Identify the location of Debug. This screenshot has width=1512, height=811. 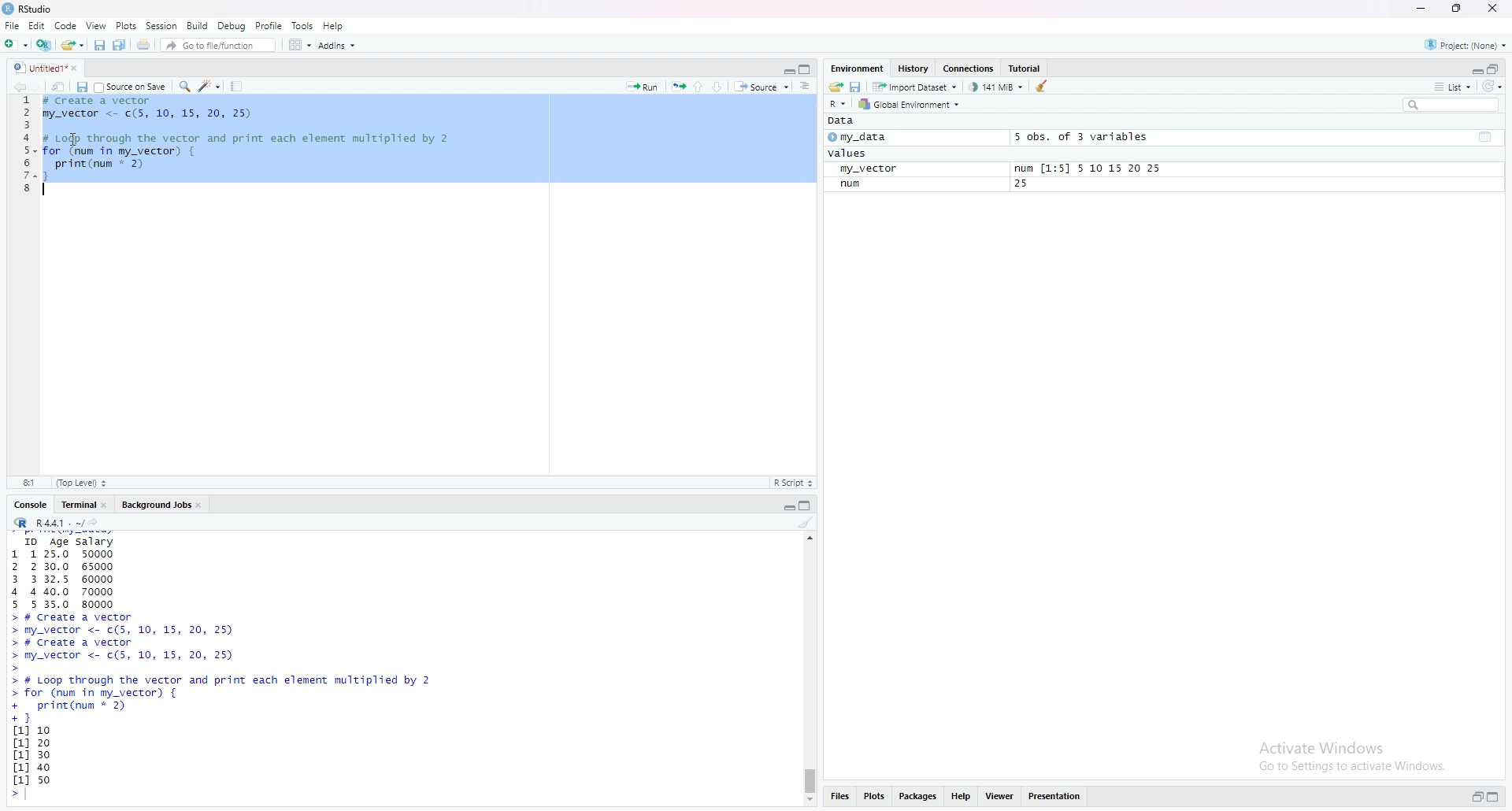
(233, 26).